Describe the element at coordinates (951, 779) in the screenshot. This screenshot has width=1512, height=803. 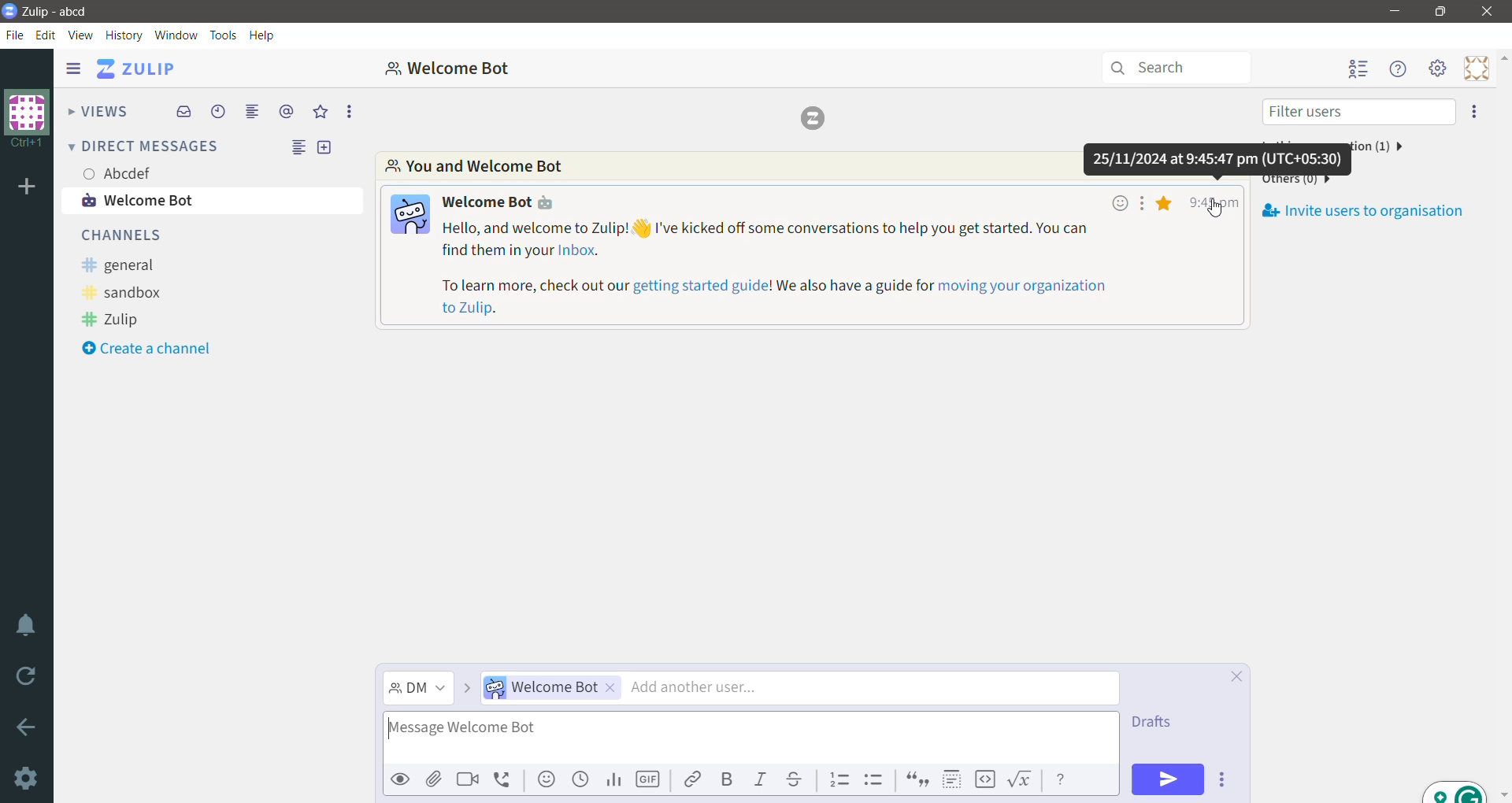
I see `Spoiler` at that location.